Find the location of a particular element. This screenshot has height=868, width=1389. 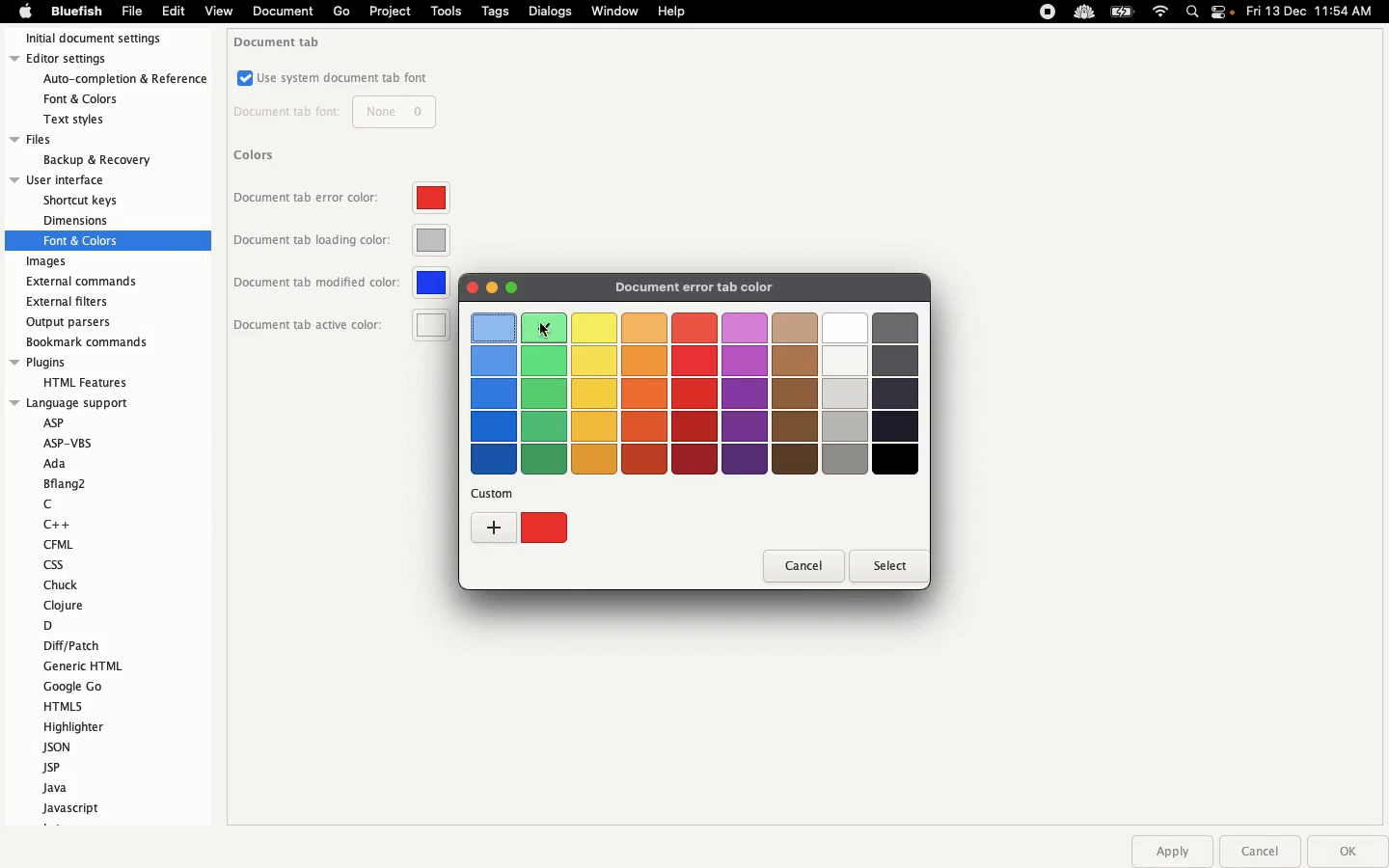

External filters is located at coordinates (70, 302).